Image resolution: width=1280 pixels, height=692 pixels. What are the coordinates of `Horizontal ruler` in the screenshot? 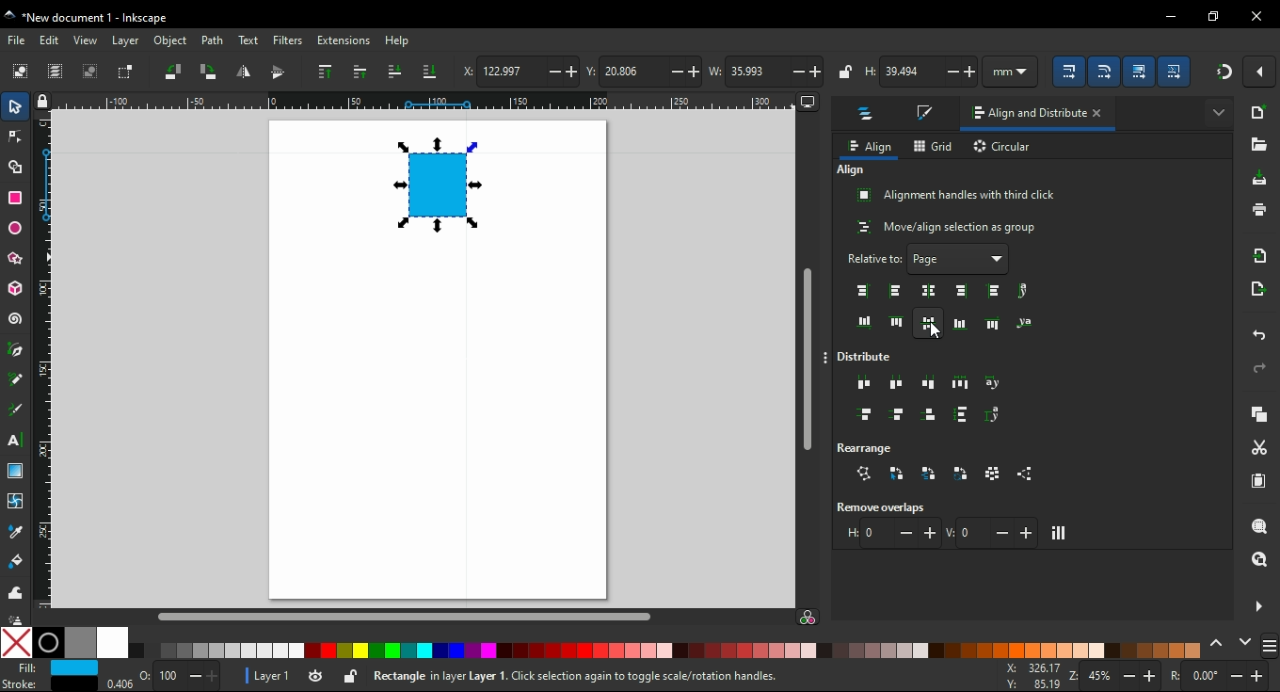 It's located at (416, 102).